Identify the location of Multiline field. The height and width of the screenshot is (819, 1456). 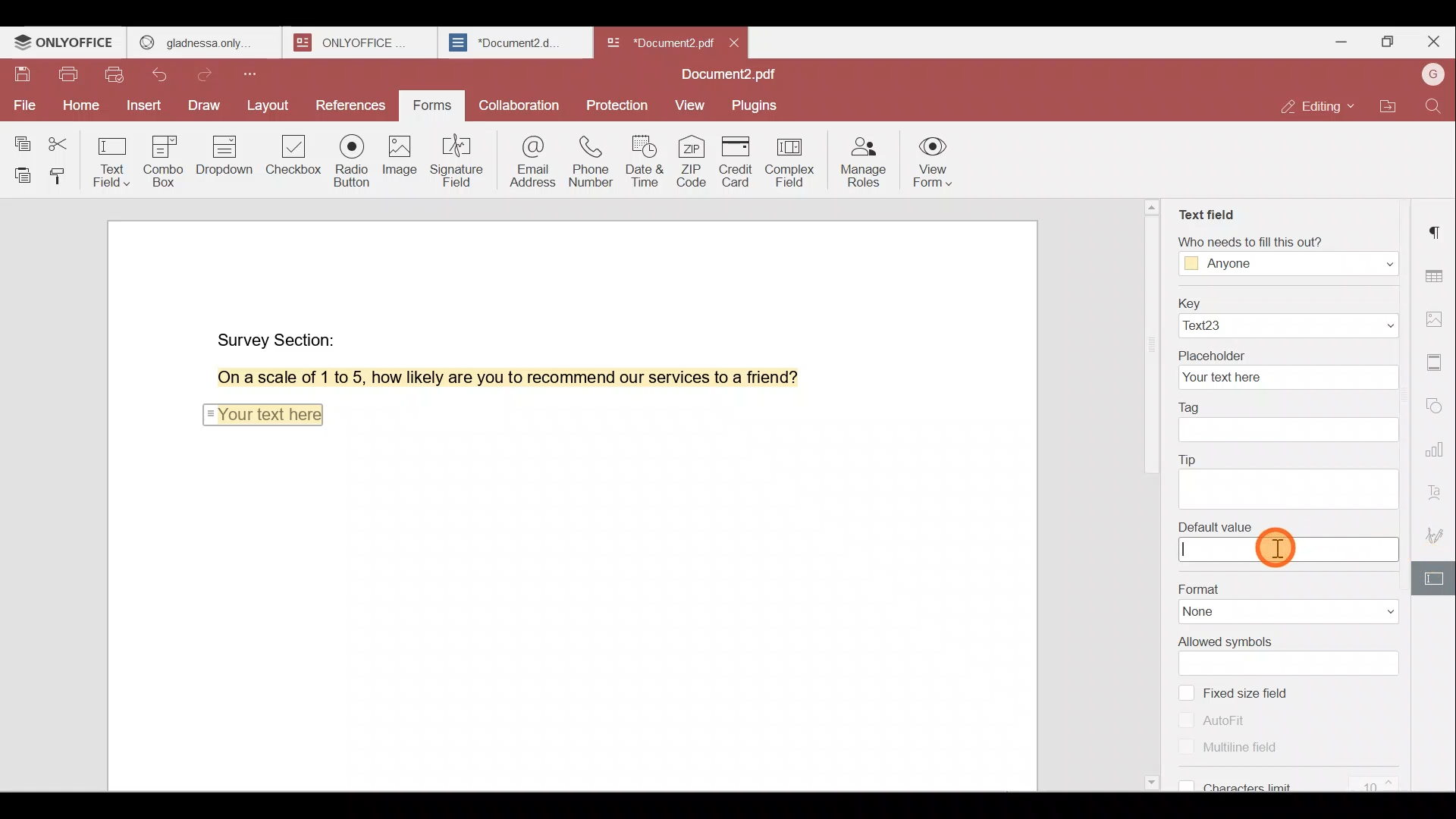
(1223, 746).